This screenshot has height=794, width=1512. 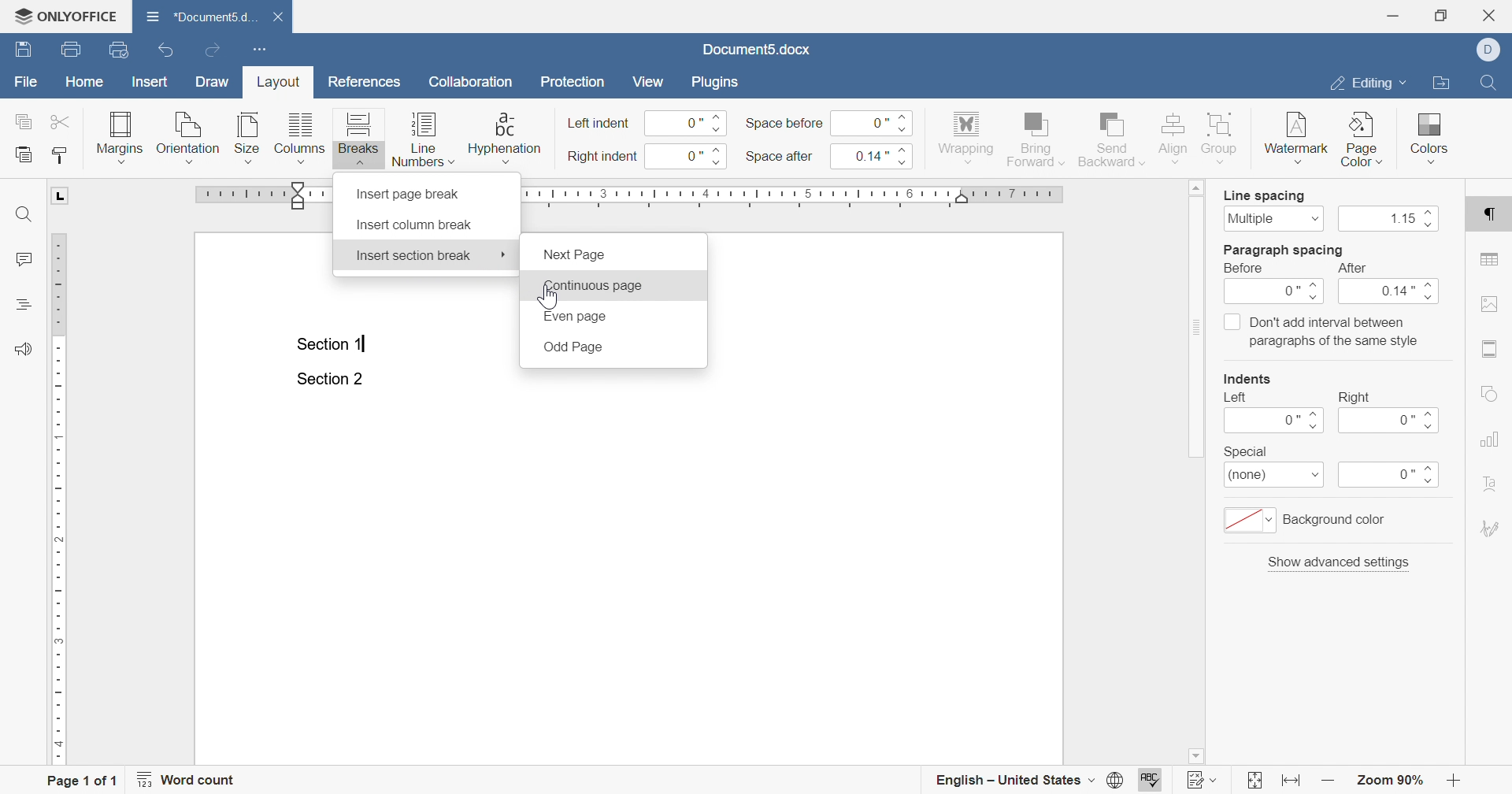 I want to click on wrapping, so click(x=966, y=139).